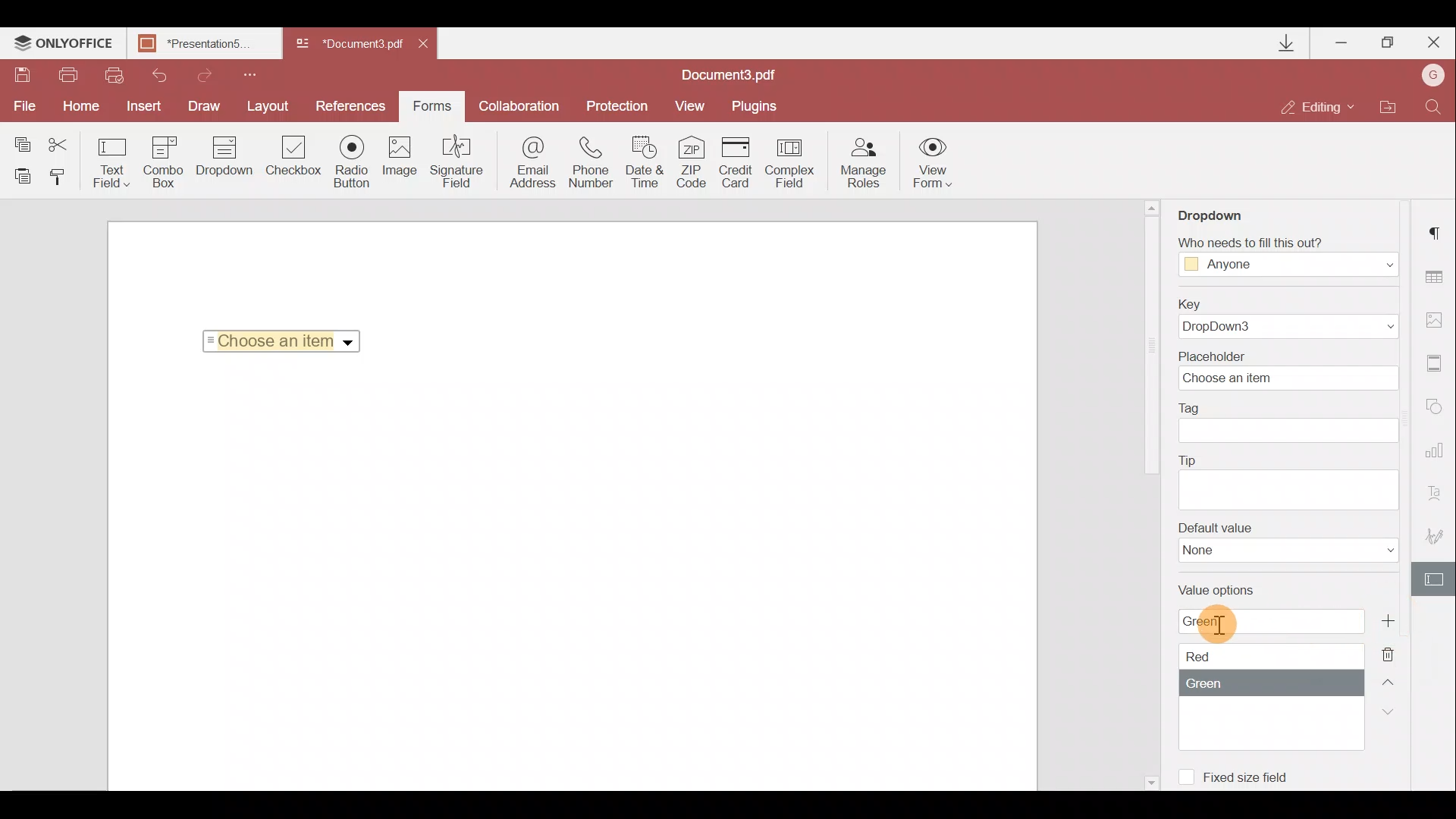 This screenshot has width=1456, height=819. I want to click on Email address, so click(527, 166).